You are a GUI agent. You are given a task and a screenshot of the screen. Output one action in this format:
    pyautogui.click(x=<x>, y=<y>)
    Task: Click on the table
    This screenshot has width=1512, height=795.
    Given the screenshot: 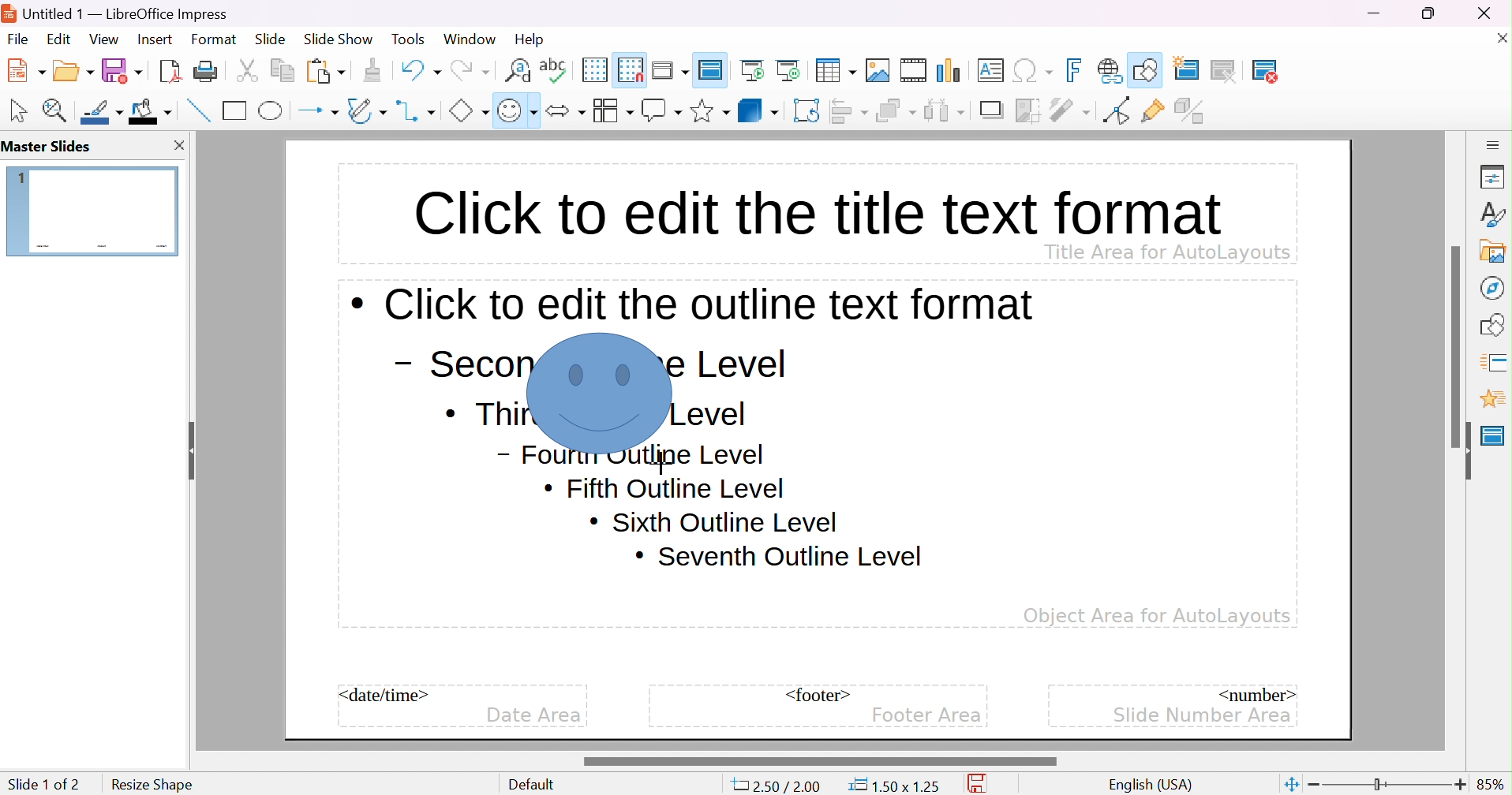 What is the action you would take?
    pyautogui.click(x=836, y=69)
    